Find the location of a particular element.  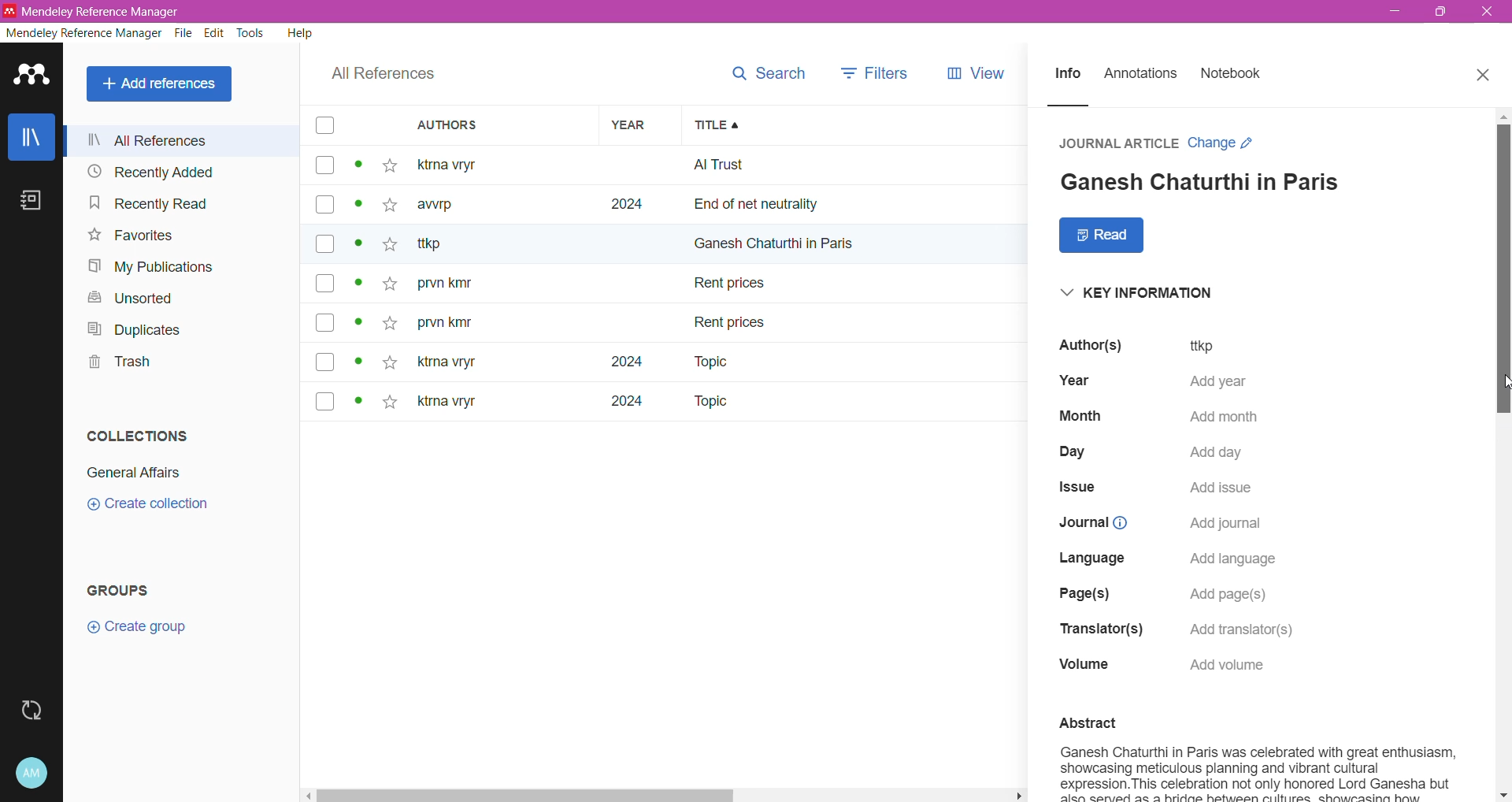

Titles of the references available in the Library is located at coordinates (855, 284).